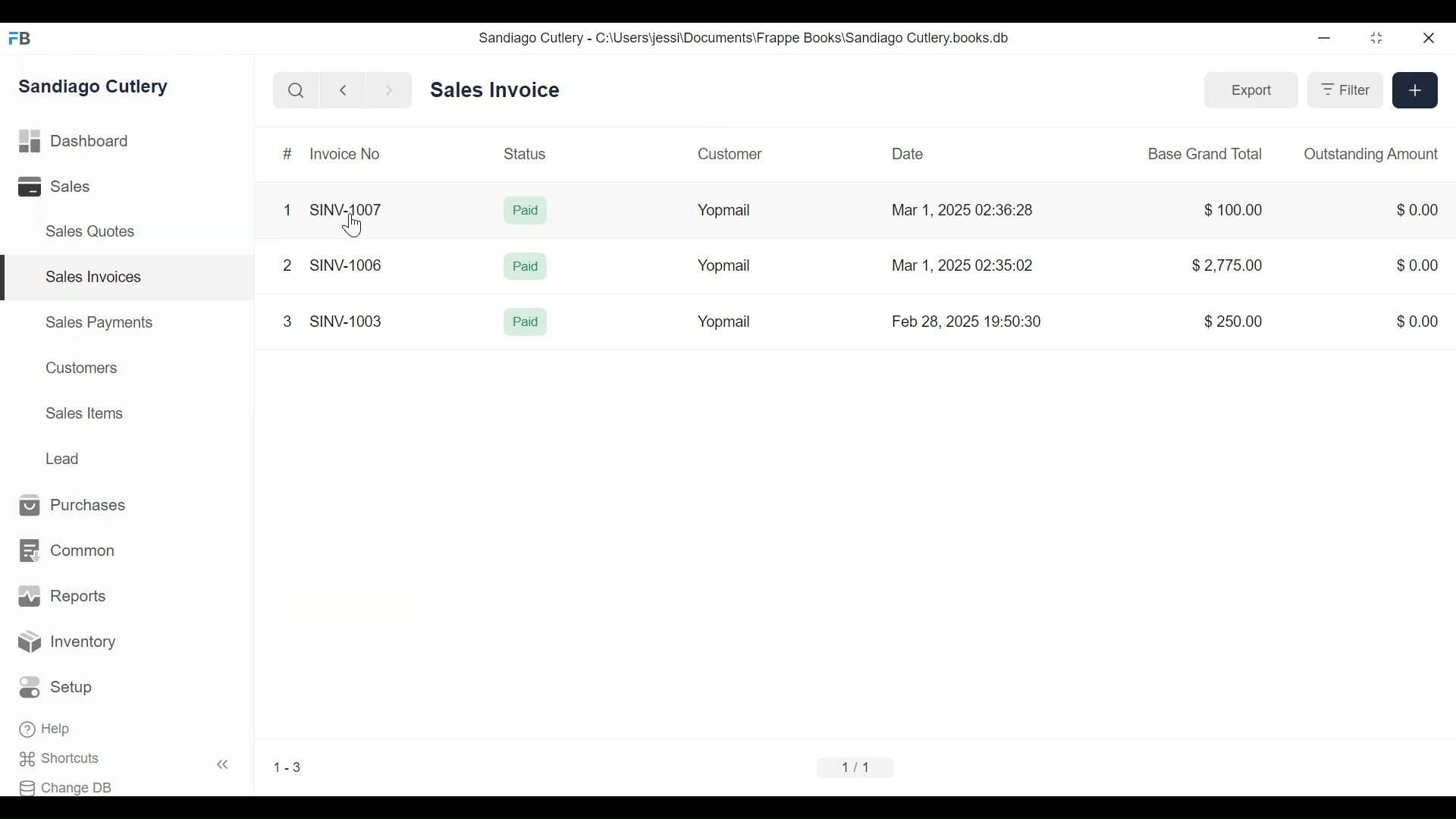 The image size is (1456, 819). What do you see at coordinates (1377, 39) in the screenshot?
I see `Toggle between form and full width` at bounding box center [1377, 39].